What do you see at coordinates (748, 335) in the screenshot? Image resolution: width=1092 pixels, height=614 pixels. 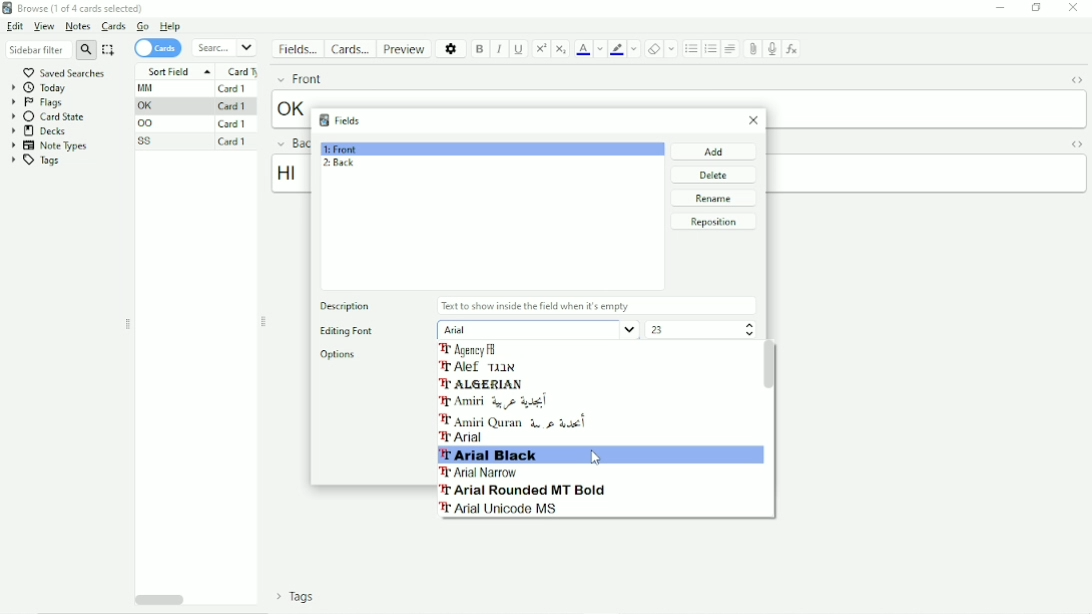 I see `Decrement` at bounding box center [748, 335].